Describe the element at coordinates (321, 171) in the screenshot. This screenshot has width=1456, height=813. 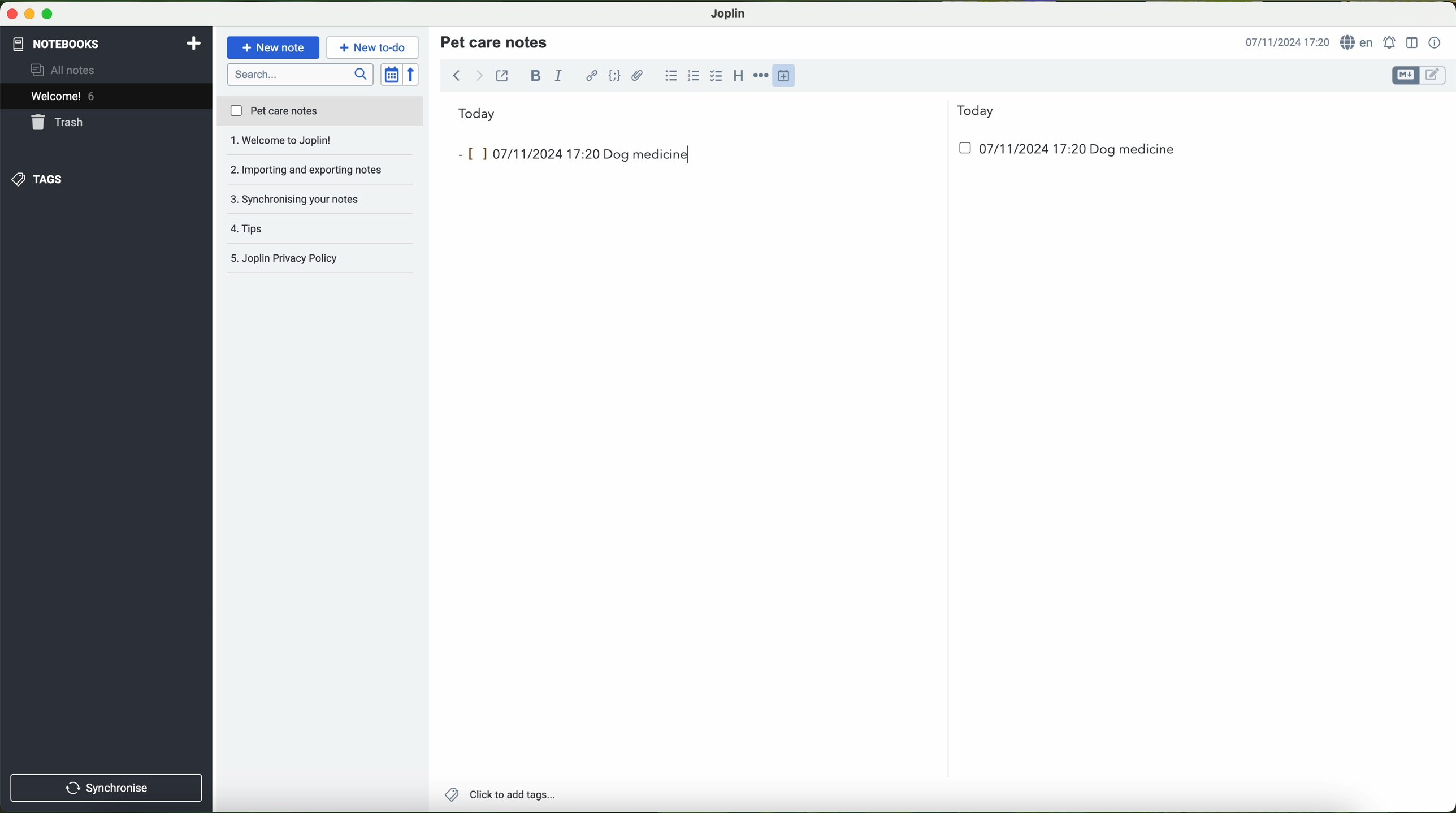
I see `synchronising your notes` at that location.